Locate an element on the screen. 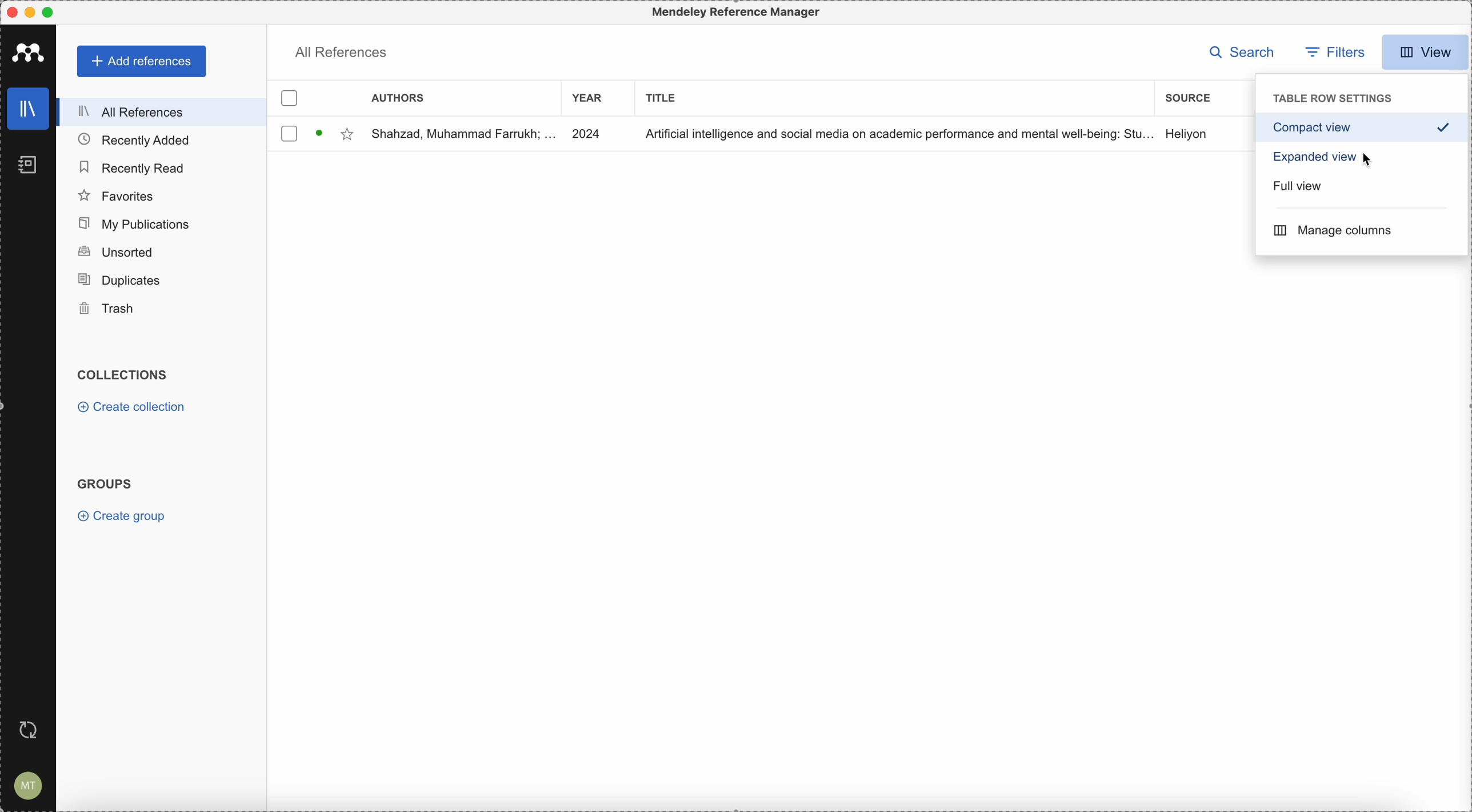  last sync is located at coordinates (33, 731).